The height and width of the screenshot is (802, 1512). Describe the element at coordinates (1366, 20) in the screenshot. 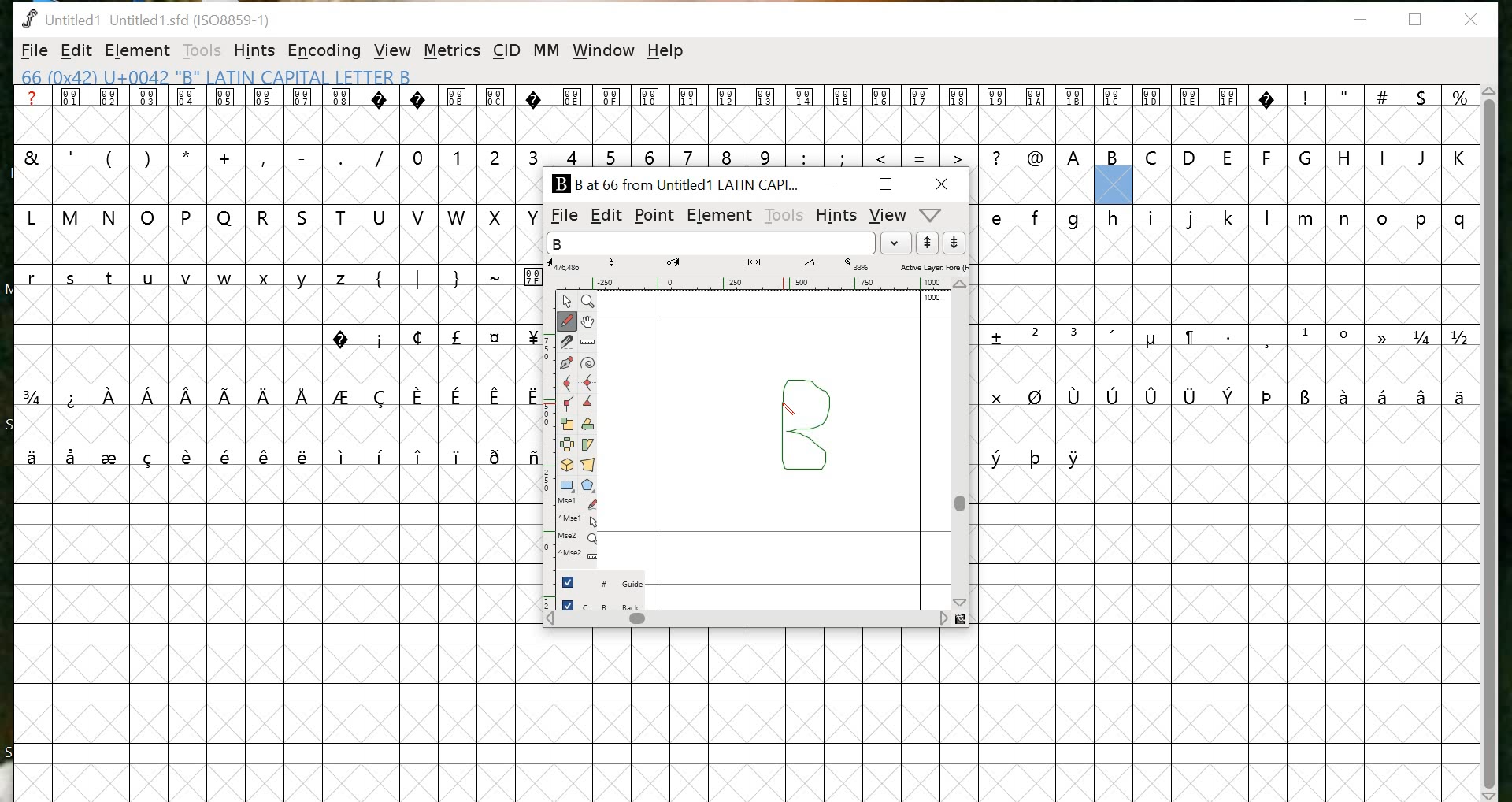

I see `minimize` at that location.